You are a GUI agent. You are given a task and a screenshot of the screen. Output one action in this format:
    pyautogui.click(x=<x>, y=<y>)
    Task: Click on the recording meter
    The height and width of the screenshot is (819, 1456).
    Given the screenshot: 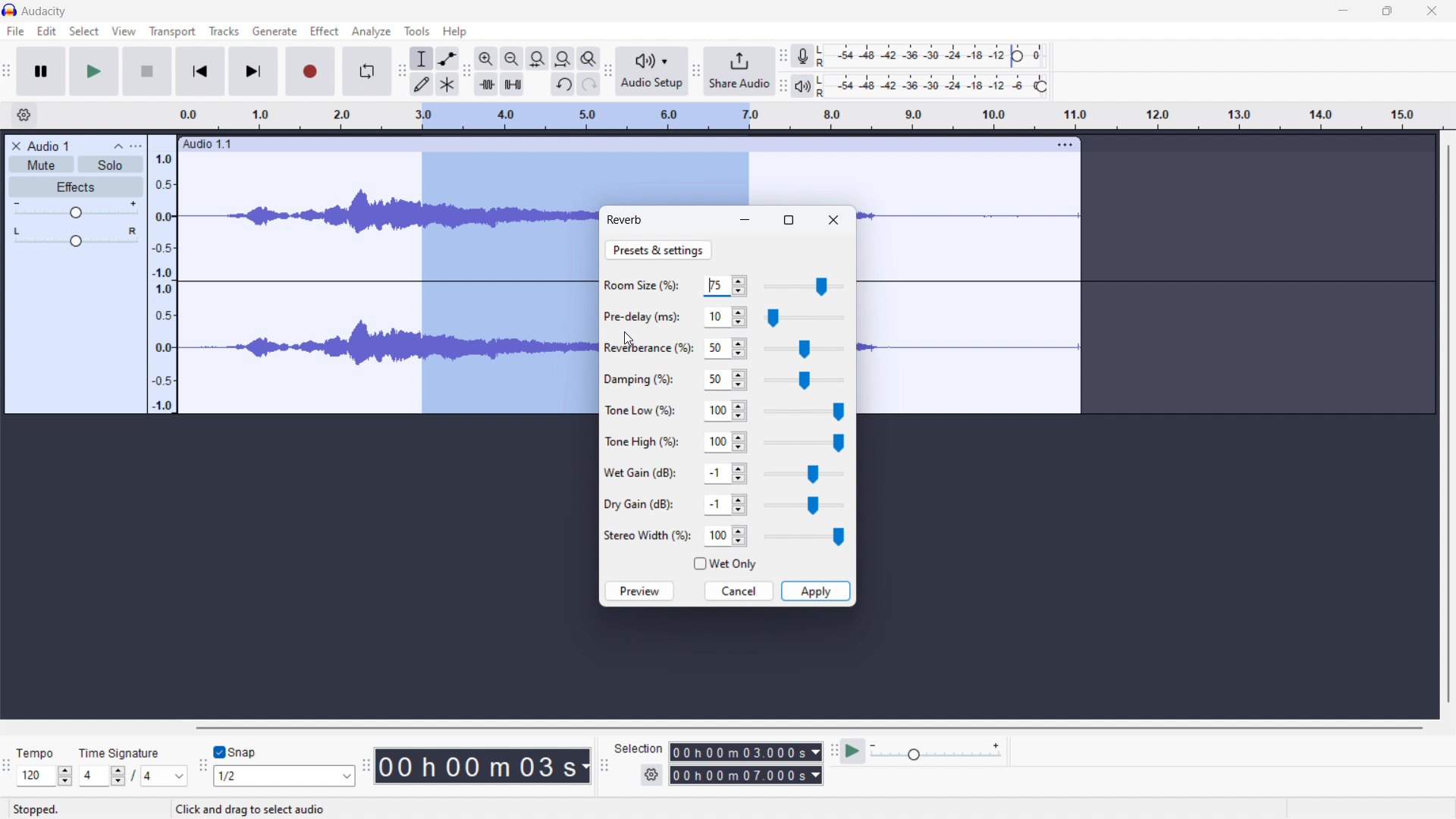 What is the action you would take?
    pyautogui.click(x=803, y=56)
    